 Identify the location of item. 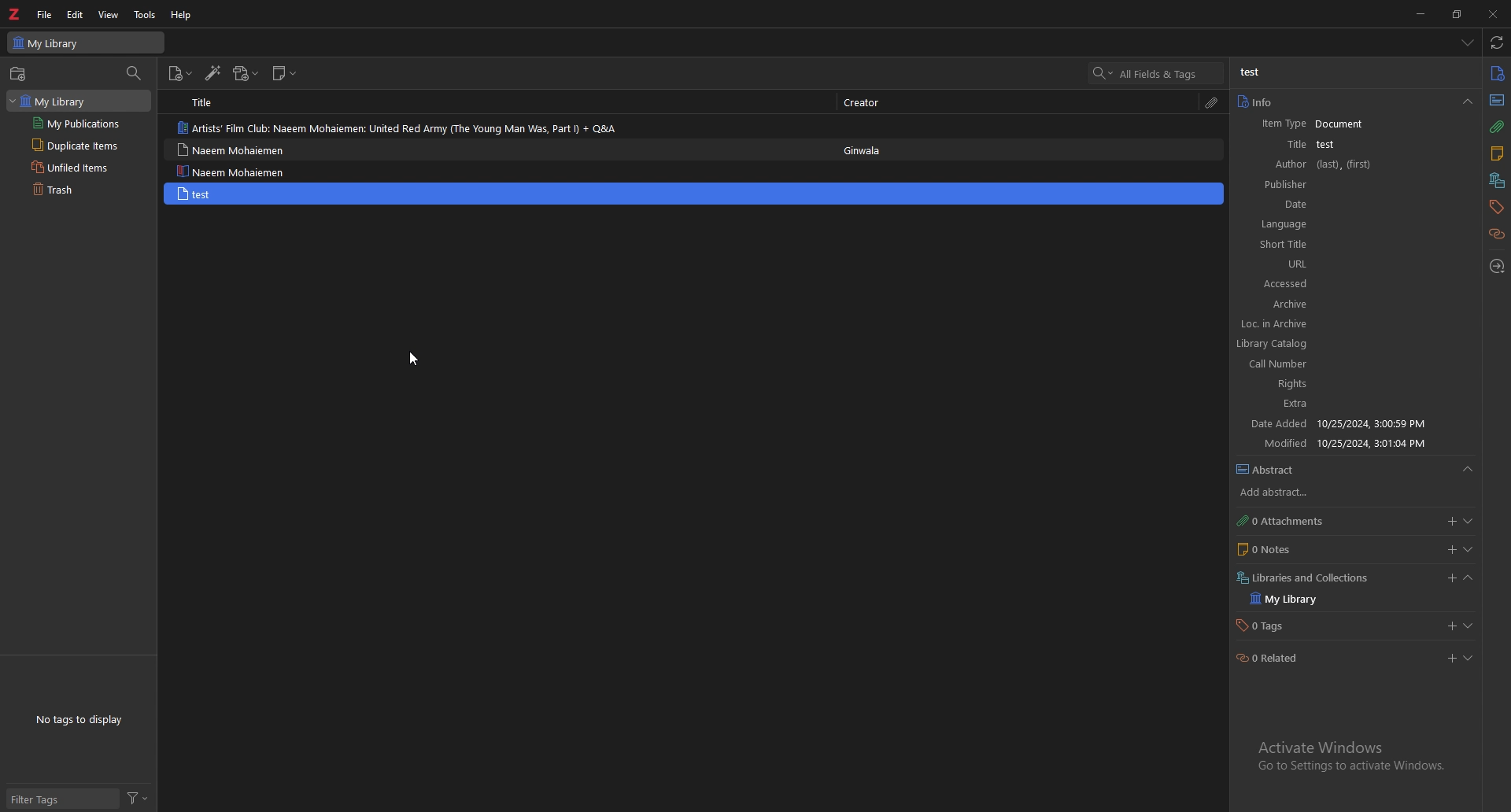
(496, 150).